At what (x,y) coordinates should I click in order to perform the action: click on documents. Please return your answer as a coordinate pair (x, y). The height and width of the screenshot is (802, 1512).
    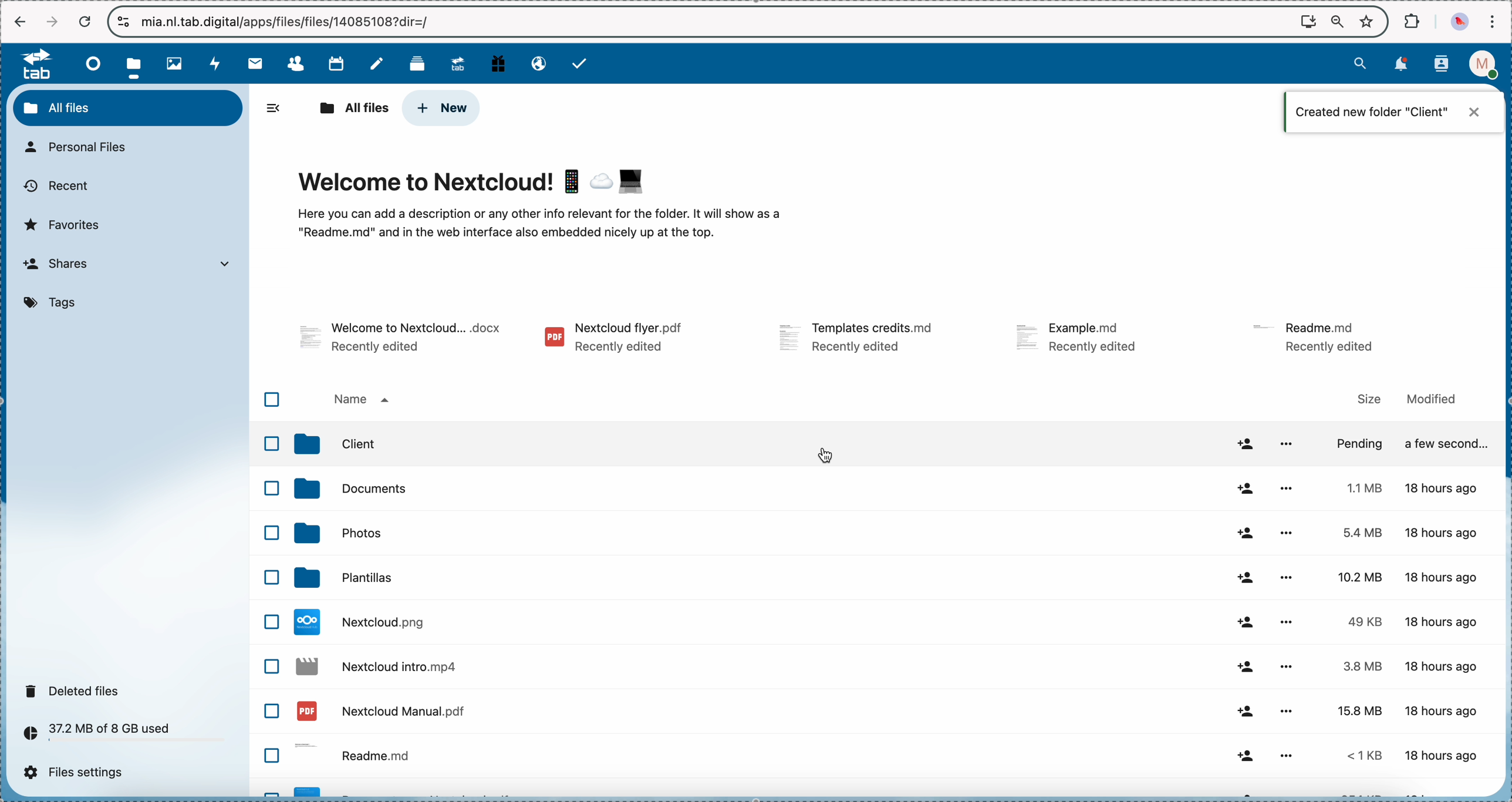
    Looking at the image, I should click on (751, 443).